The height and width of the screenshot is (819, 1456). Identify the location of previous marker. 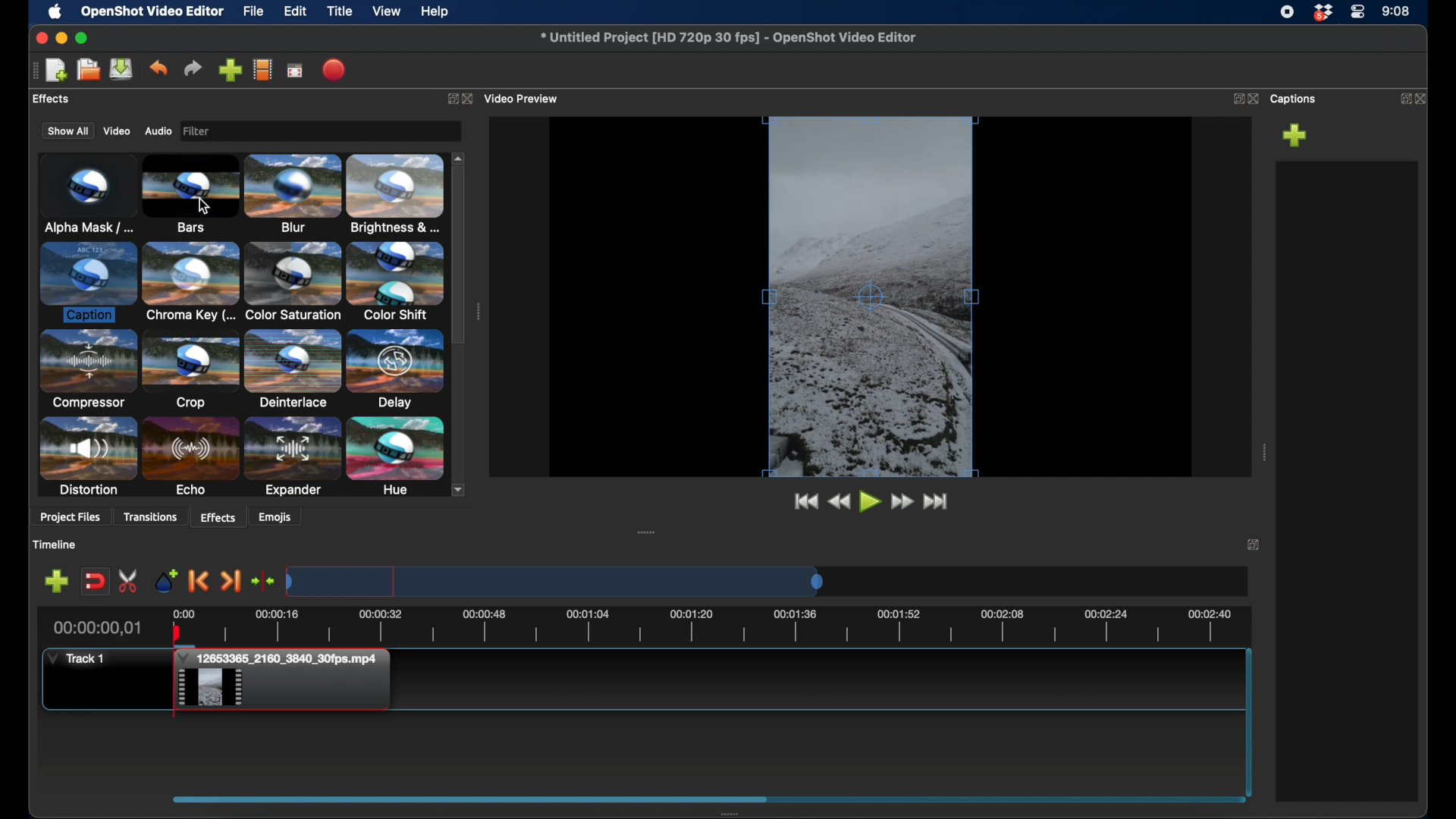
(199, 582).